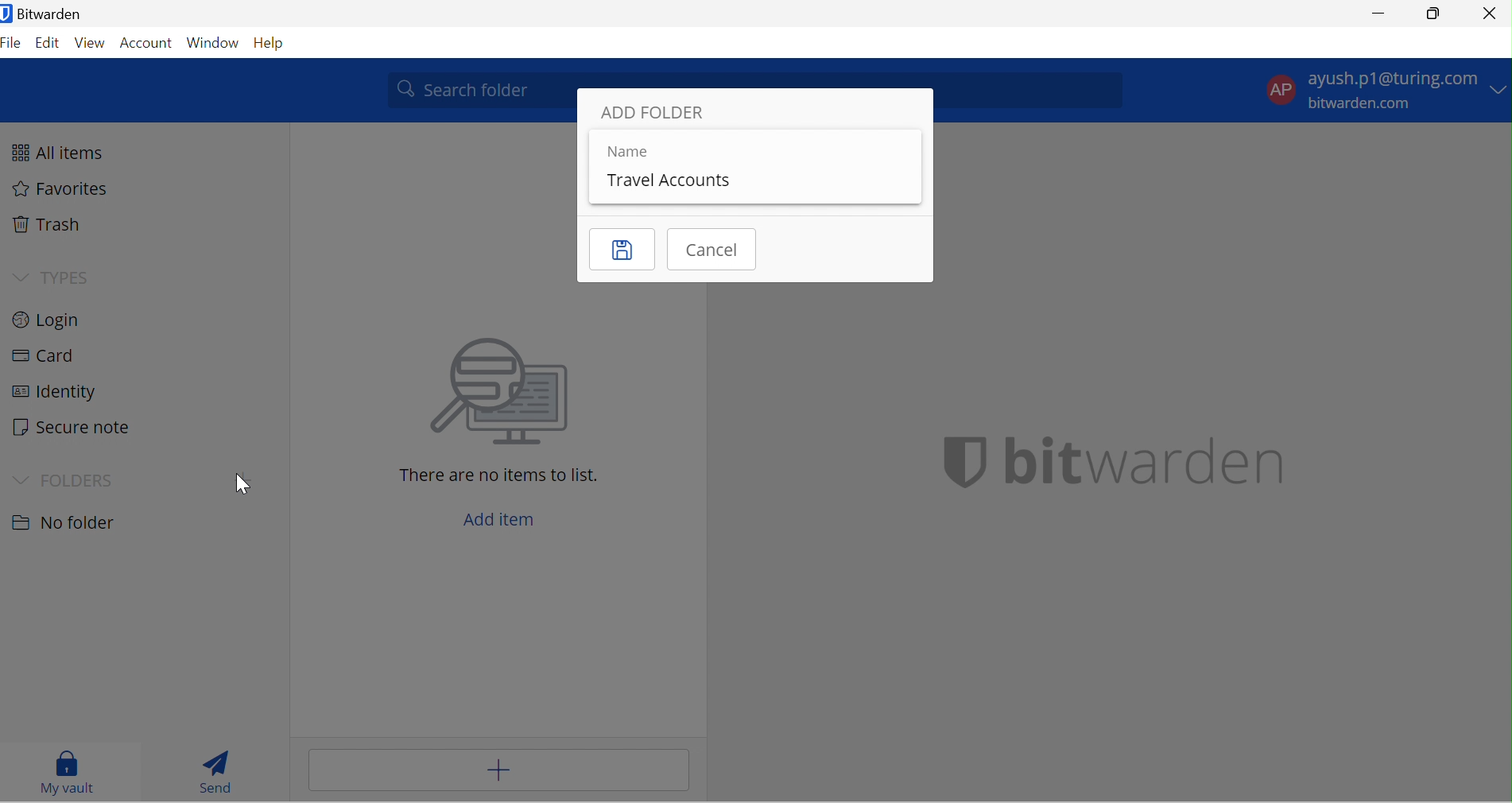 This screenshot has width=1512, height=803. I want to click on Name, so click(632, 152).